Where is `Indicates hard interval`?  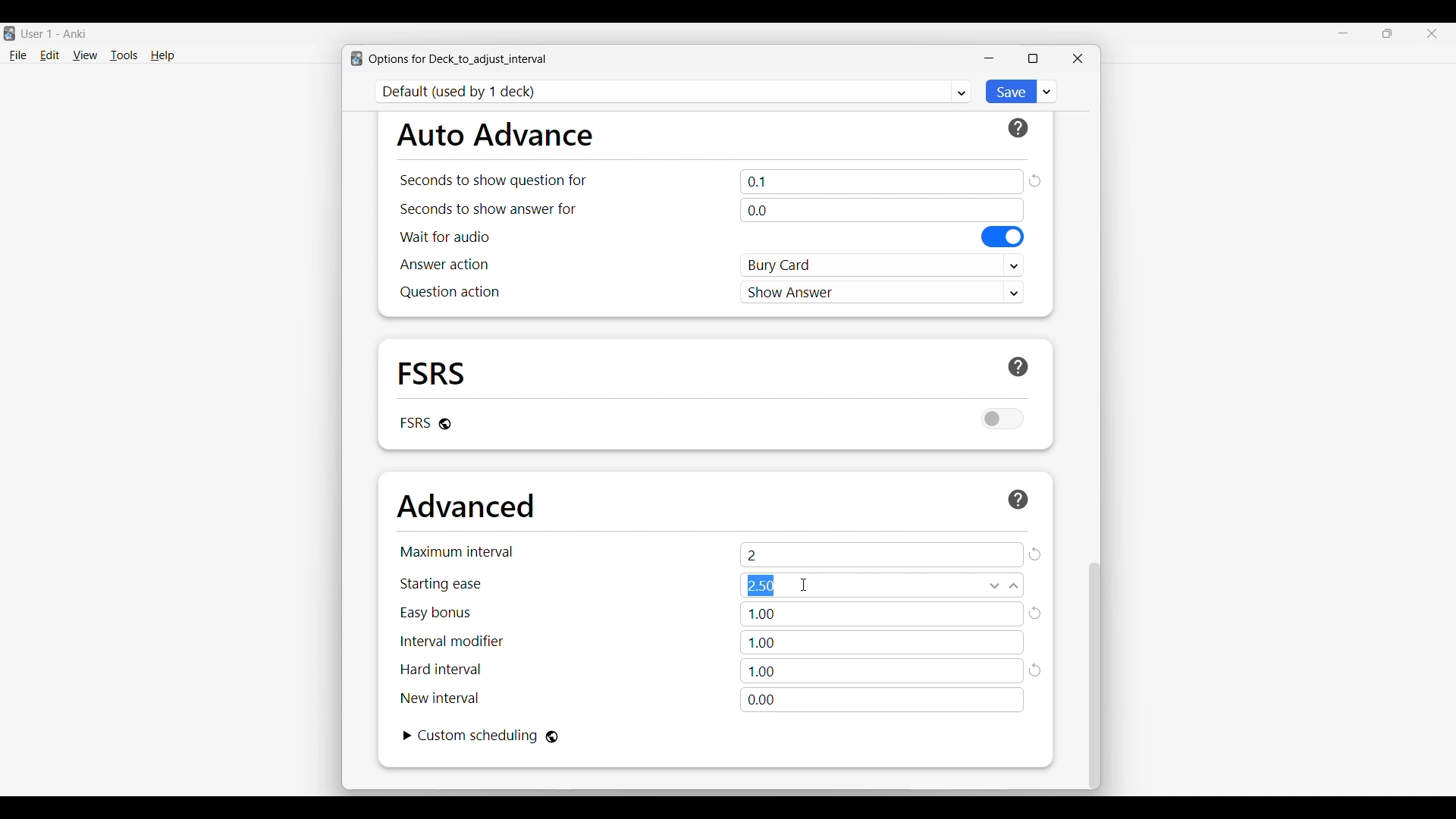 Indicates hard interval is located at coordinates (441, 670).